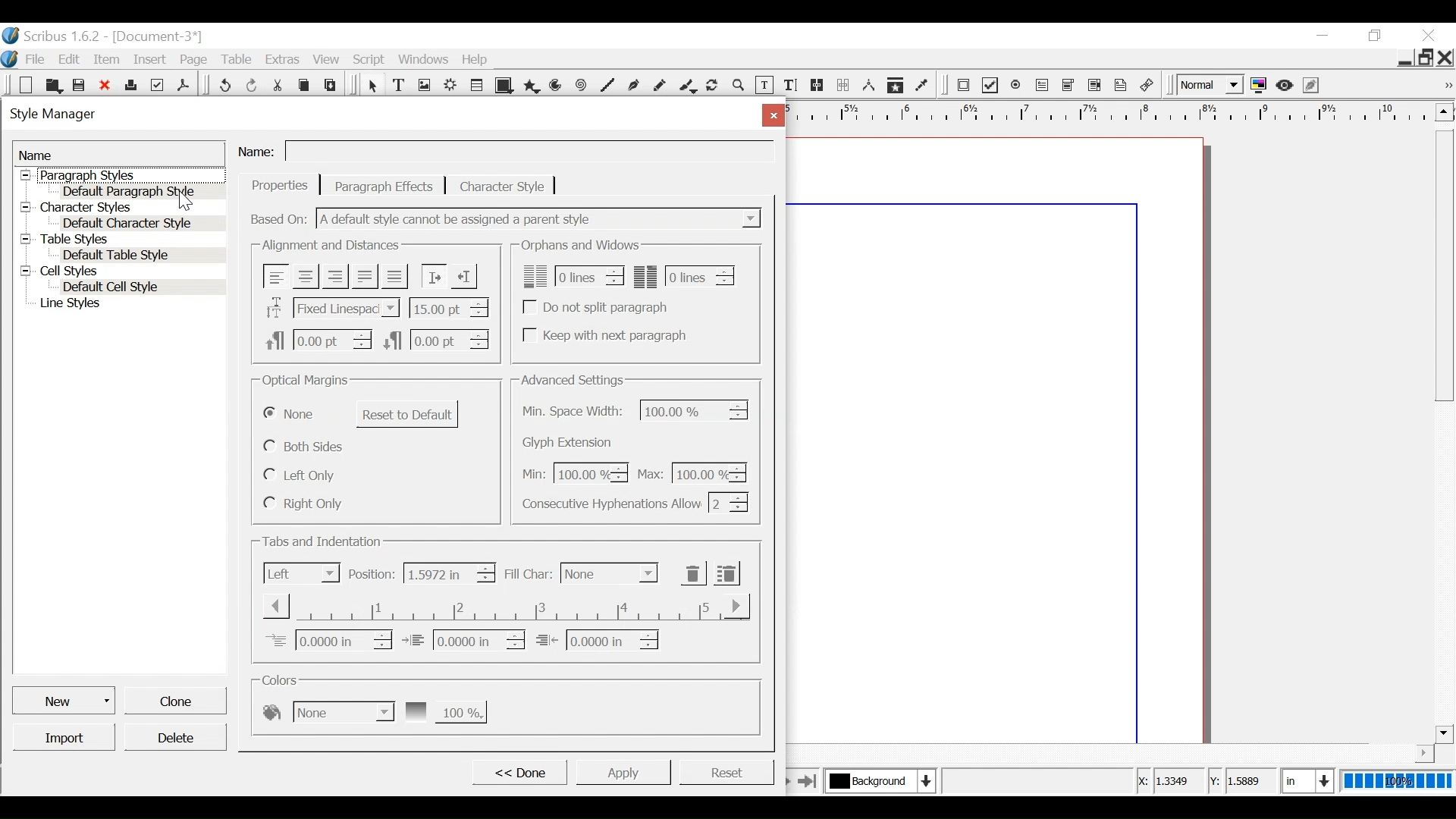 The image size is (1456, 819). What do you see at coordinates (1244, 781) in the screenshot?
I see `Y Coordinates` at bounding box center [1244, 781].